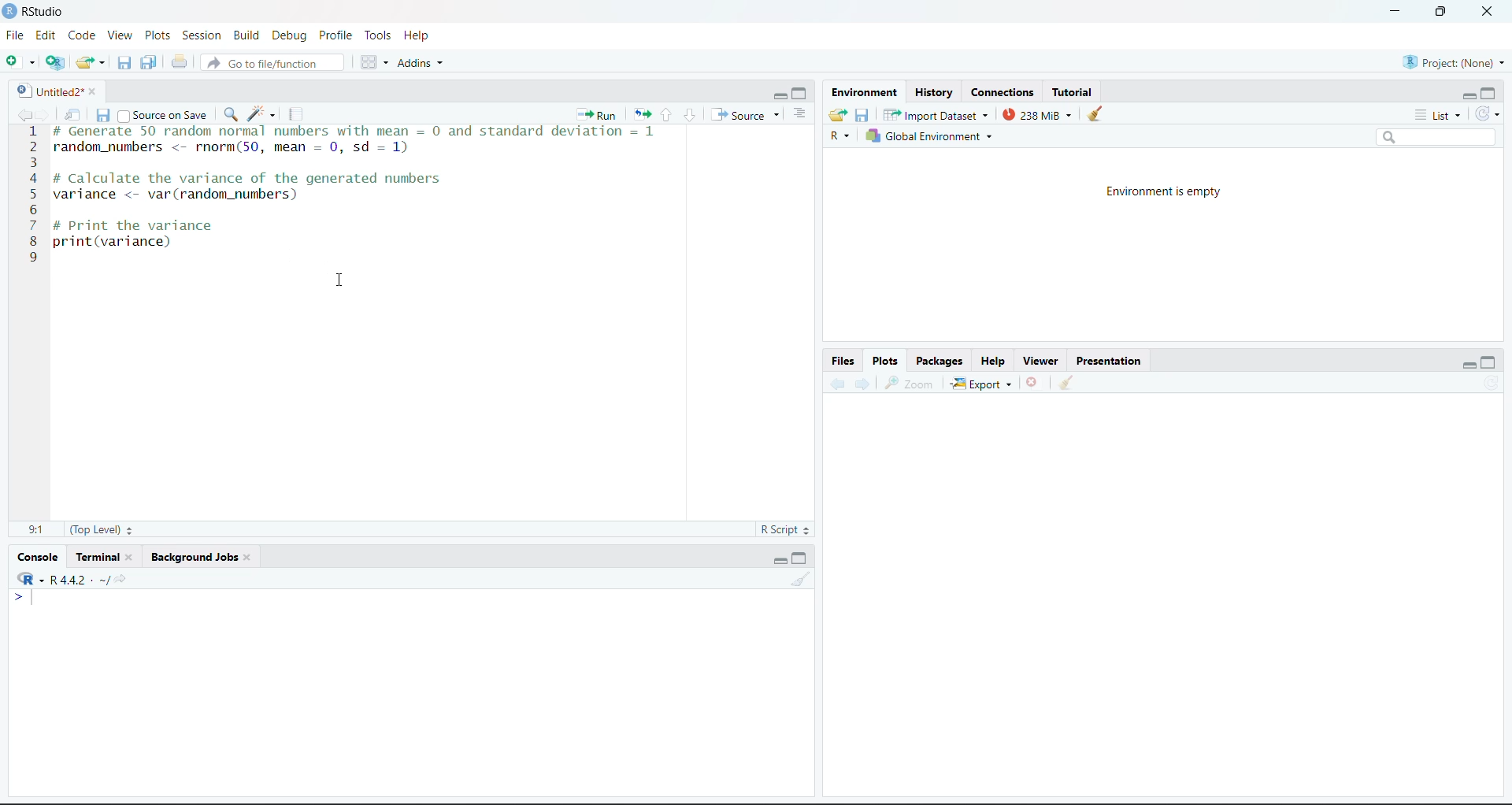 This screenshot has height=805, width=1512. What do you see at coordinates (55, 62) in the screenshot?
I see `new project ` at bounding box center [55, 62].